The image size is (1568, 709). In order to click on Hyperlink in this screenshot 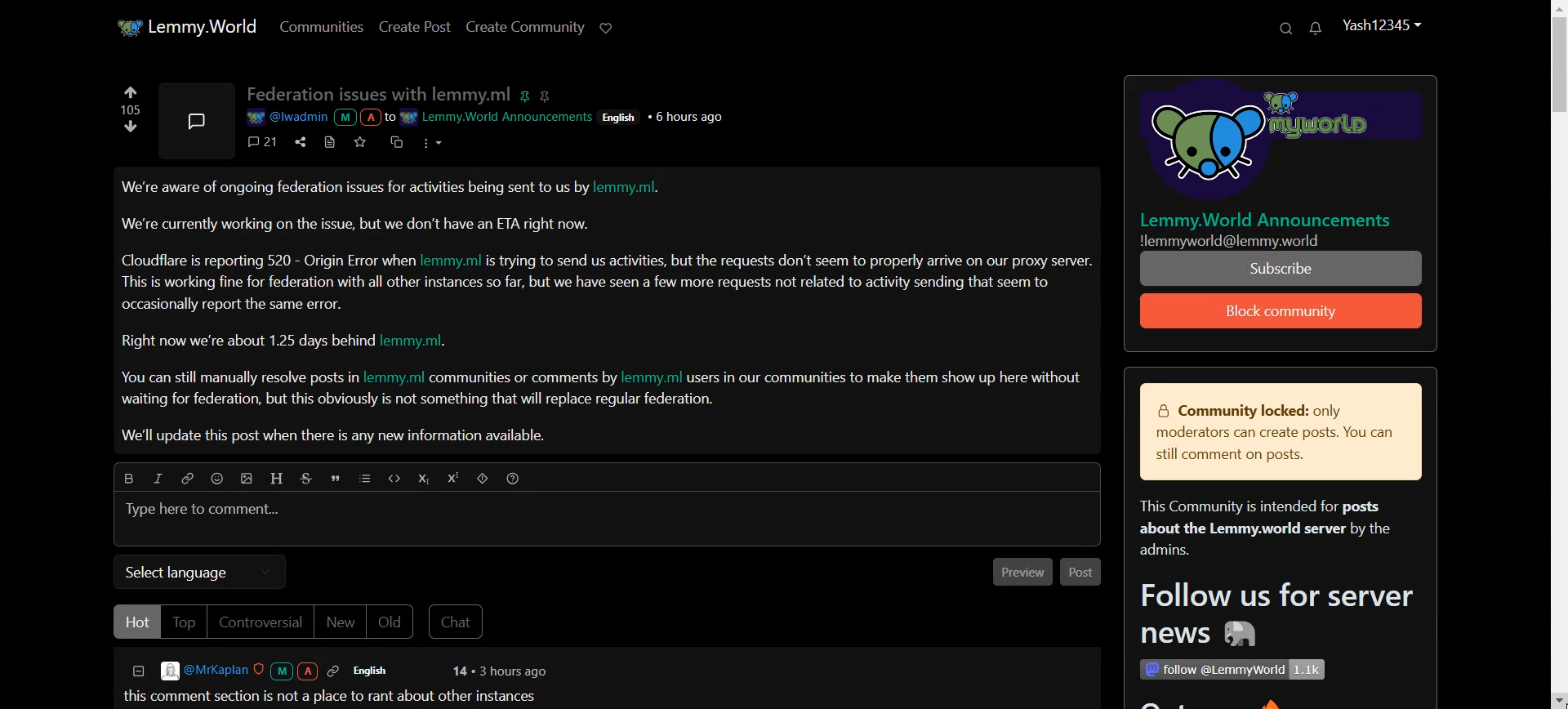, I will do `click(189, 478)`.